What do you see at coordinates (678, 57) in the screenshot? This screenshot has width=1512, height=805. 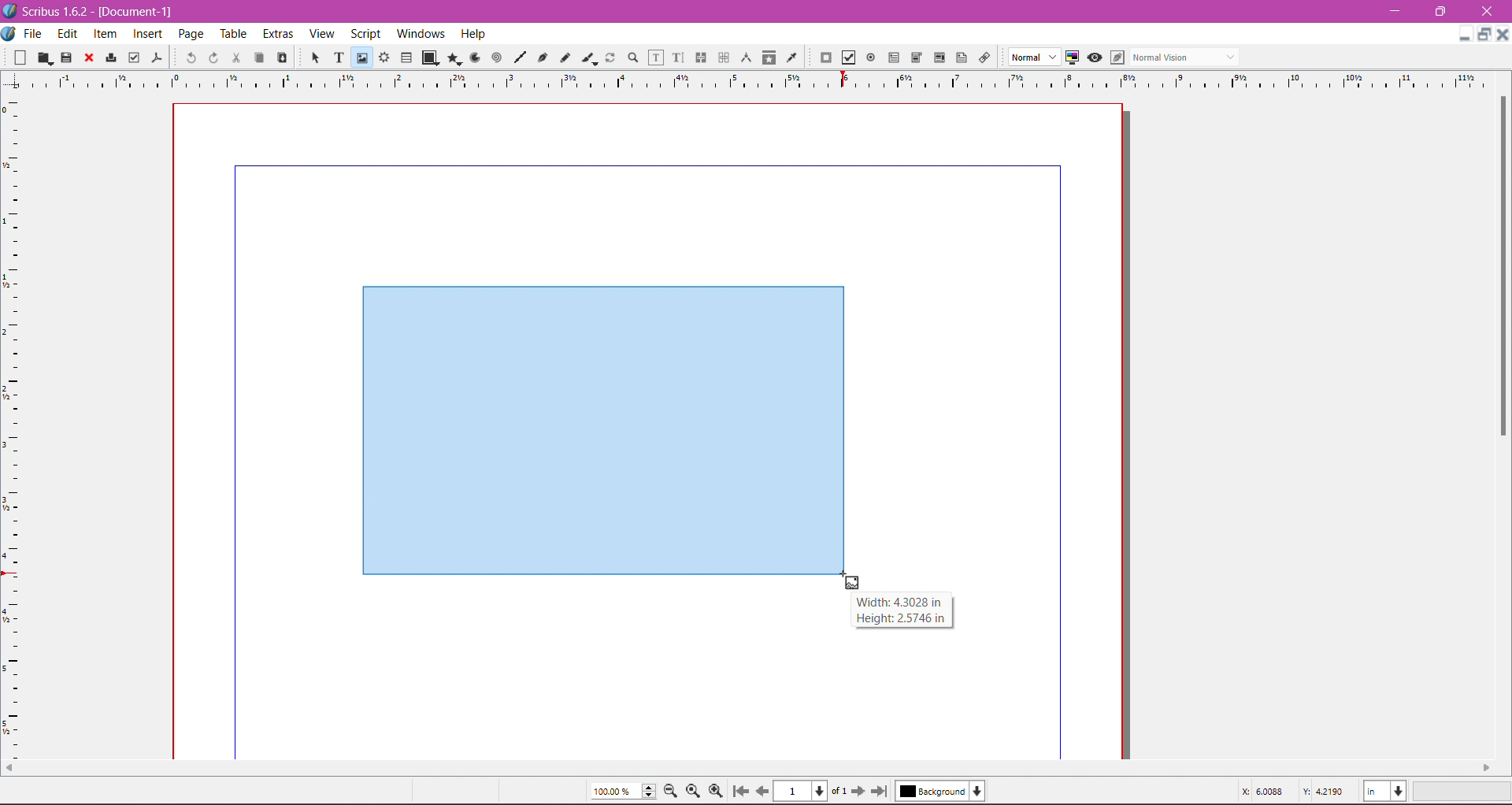 I see `Edit Text with Story Editor` at bounding box center [678, 57].